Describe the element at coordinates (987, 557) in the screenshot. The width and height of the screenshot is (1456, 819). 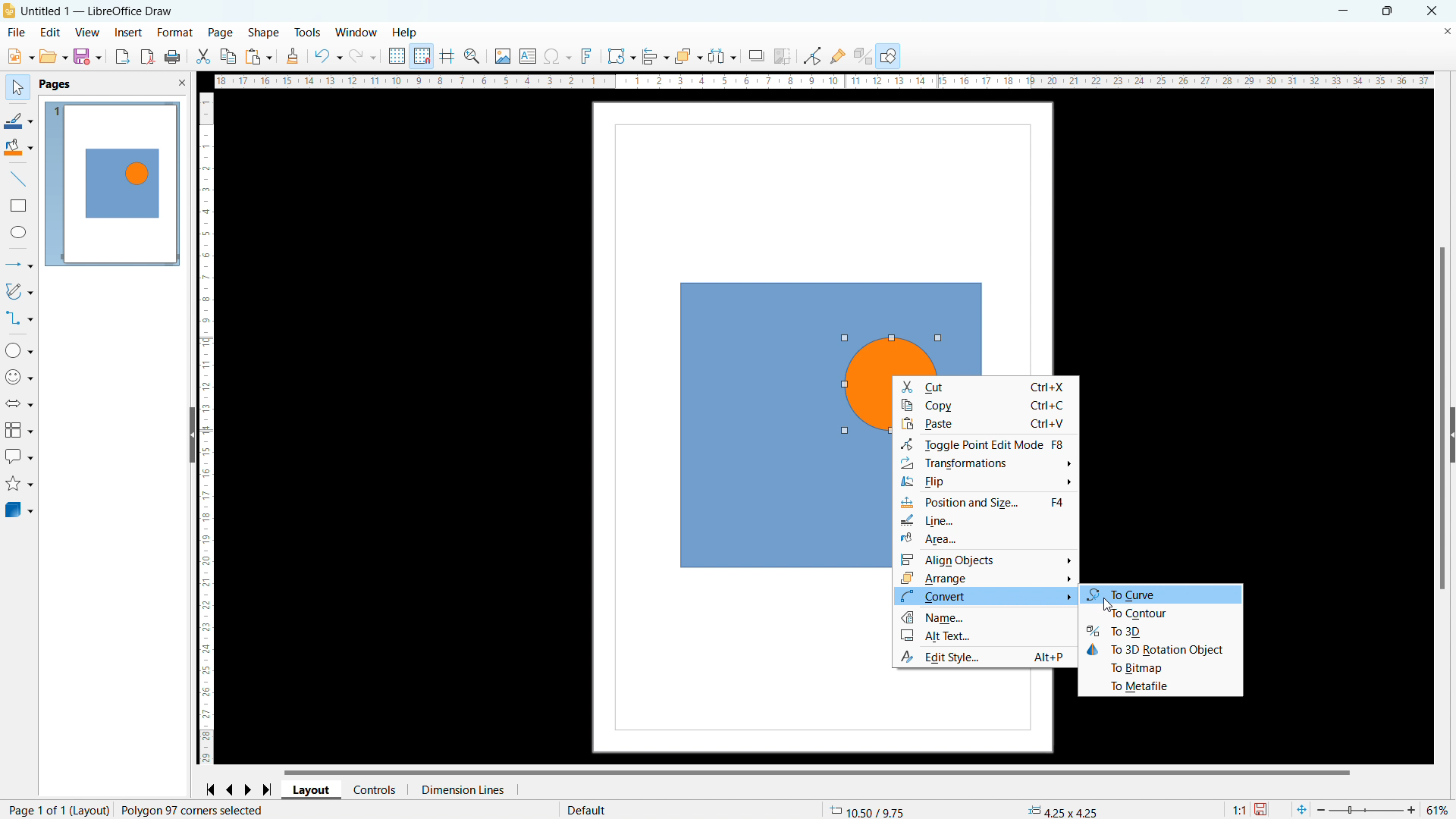
I see `align objects` at that location.